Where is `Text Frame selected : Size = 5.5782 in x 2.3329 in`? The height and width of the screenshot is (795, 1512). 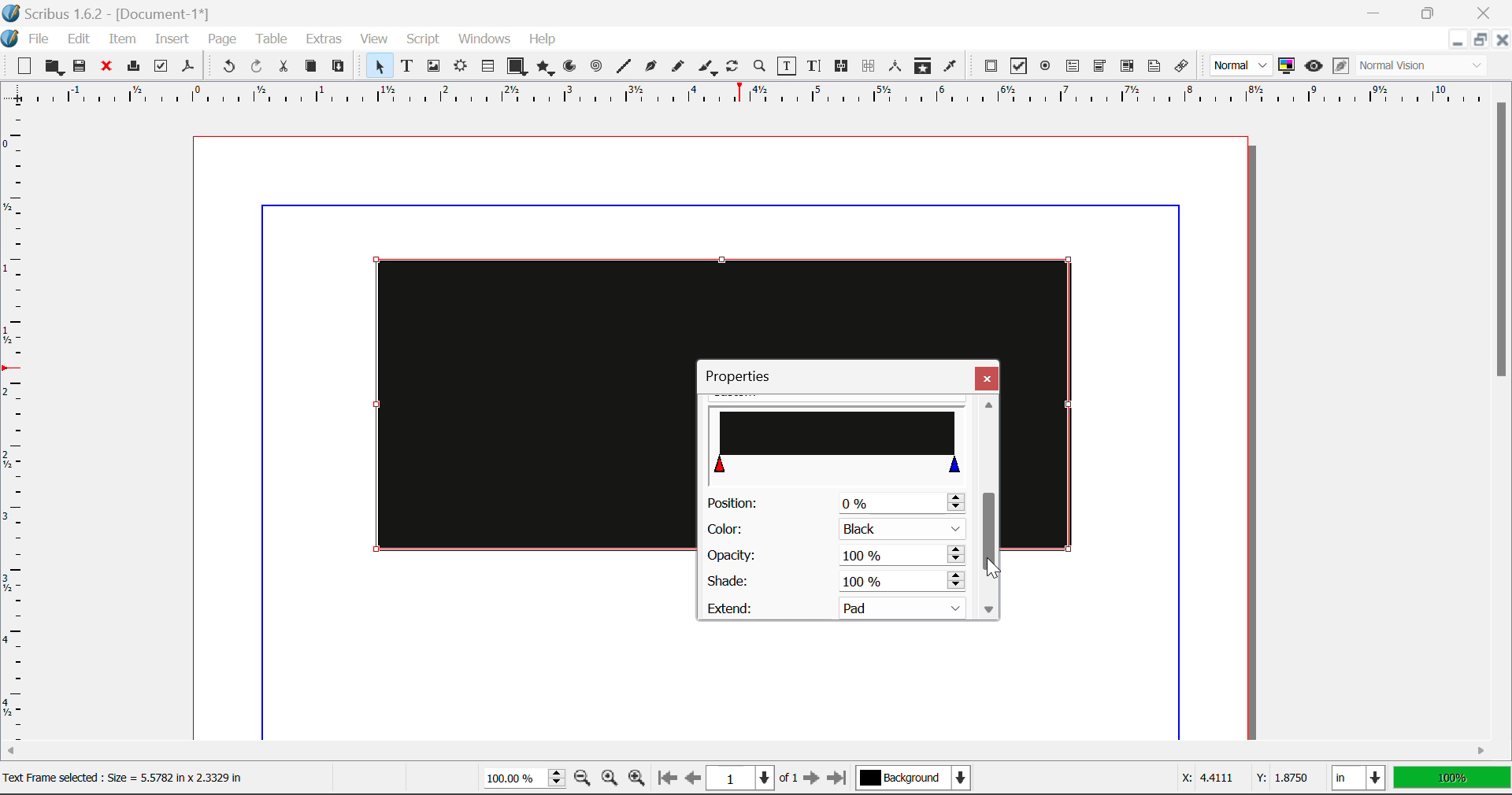
Text Frame selected : Size = 5.5782 in x 2.3329 in is located at coordinates (127, 777).